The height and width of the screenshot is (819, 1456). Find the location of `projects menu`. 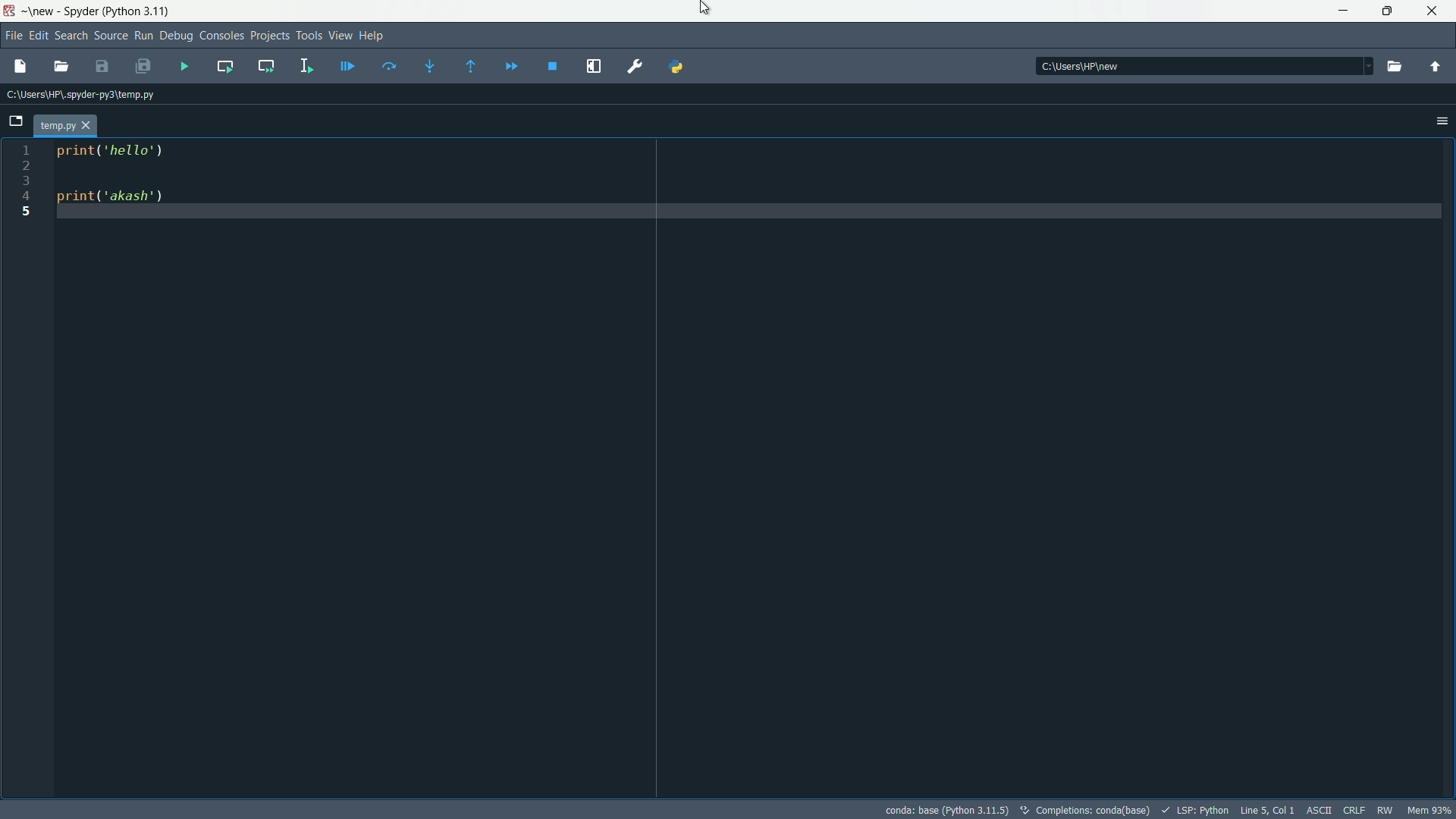

projects menu is located at coordinates (269, 36).